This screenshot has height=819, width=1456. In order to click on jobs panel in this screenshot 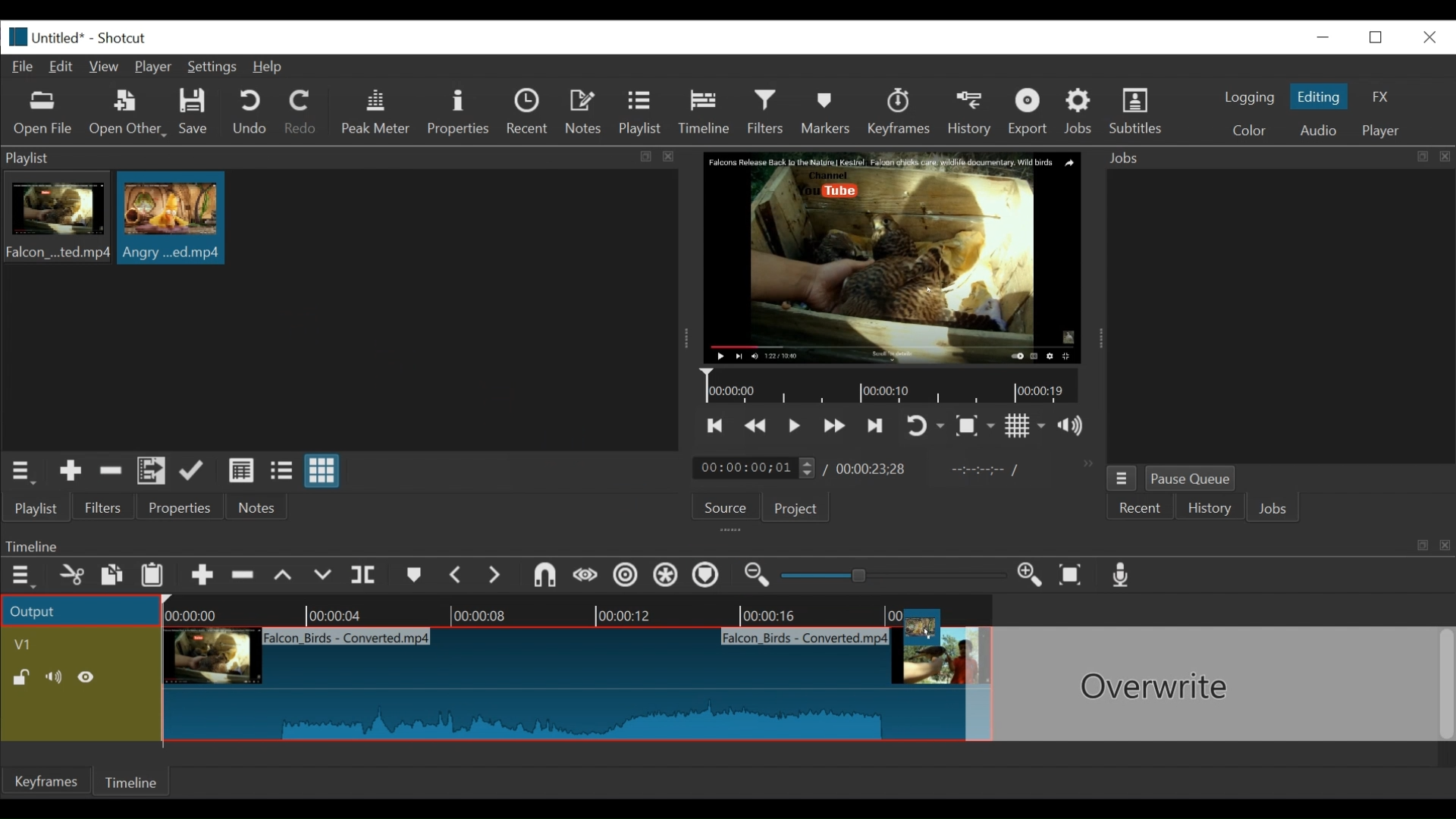, I will do `click(1280, 315)`.